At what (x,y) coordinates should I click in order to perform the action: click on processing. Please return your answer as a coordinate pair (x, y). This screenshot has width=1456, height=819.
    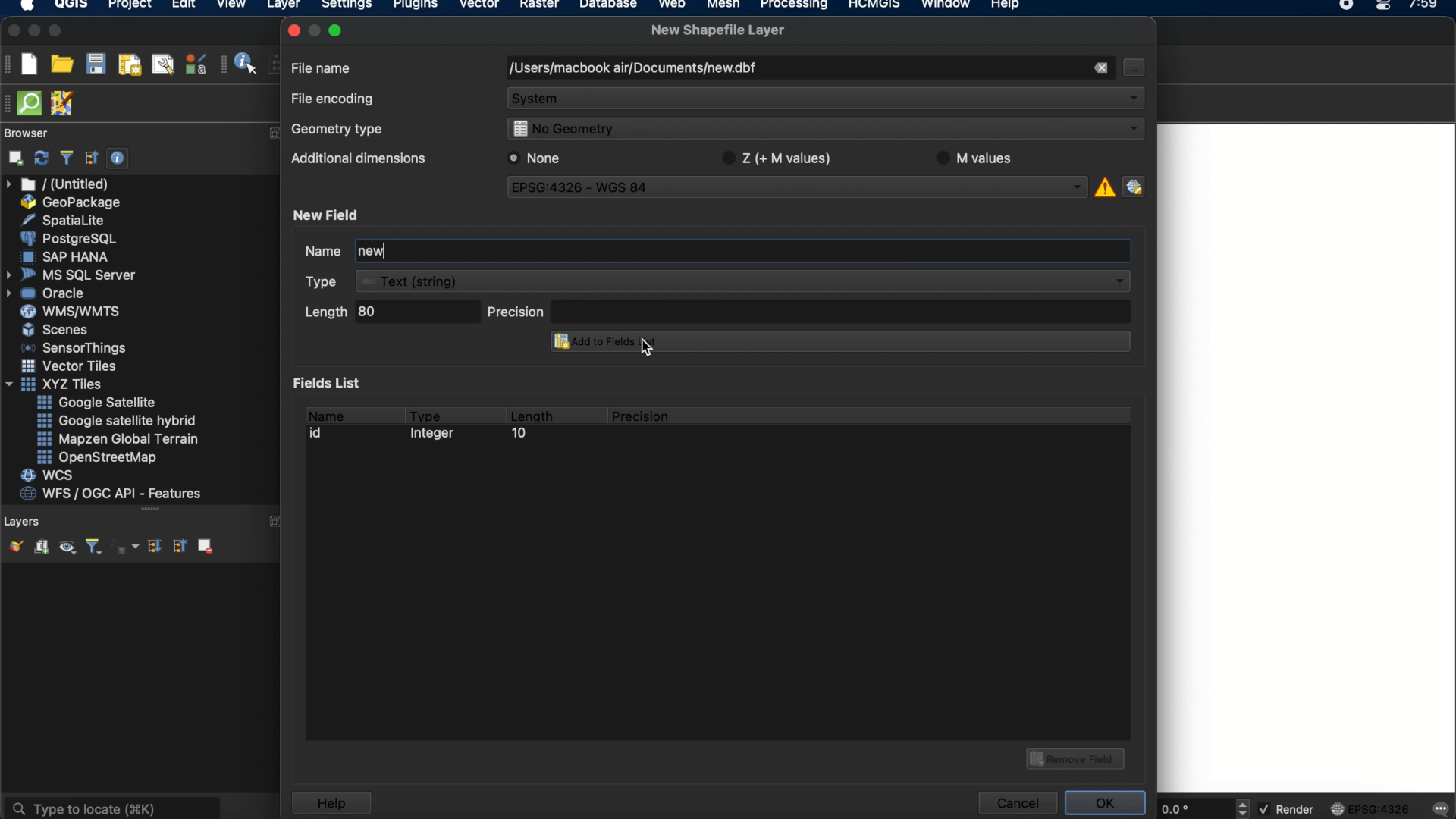
    Looking at the image, I should click on (798, 6).